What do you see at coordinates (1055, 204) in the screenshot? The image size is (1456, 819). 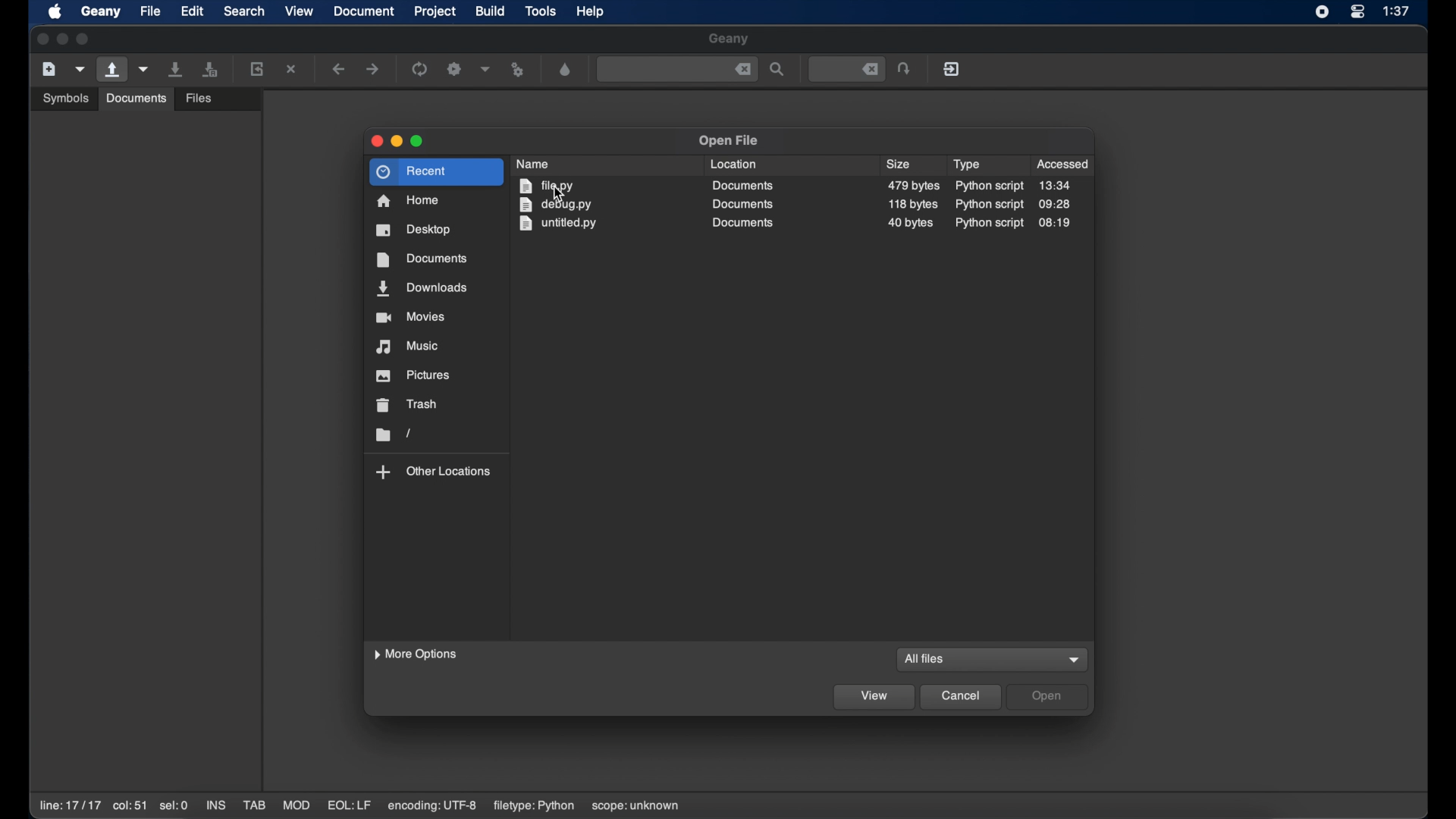 I see `9.28` at bounding box center [1055, 204].